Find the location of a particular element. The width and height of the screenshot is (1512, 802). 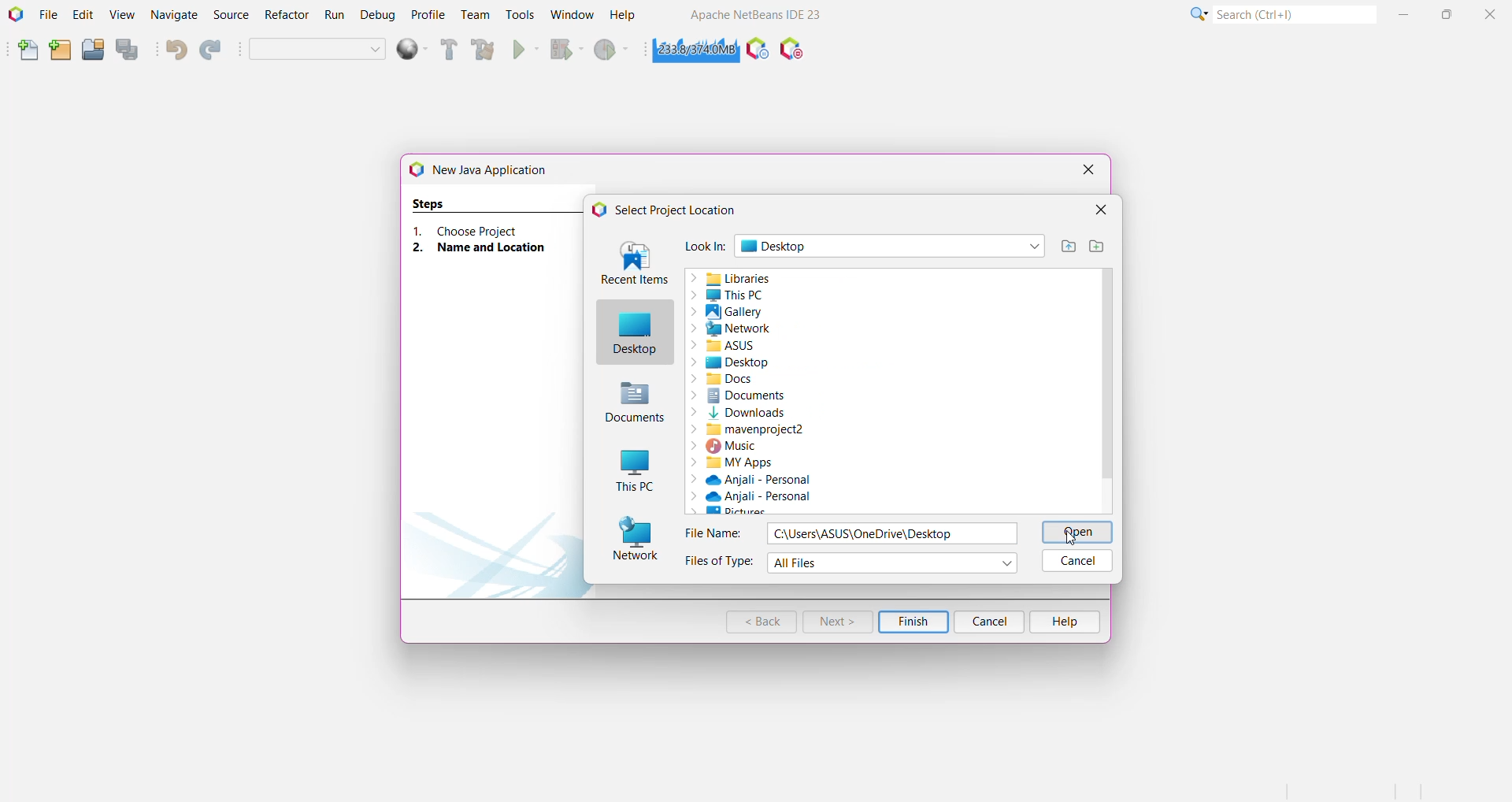

View is located at coordinates (122, 17).